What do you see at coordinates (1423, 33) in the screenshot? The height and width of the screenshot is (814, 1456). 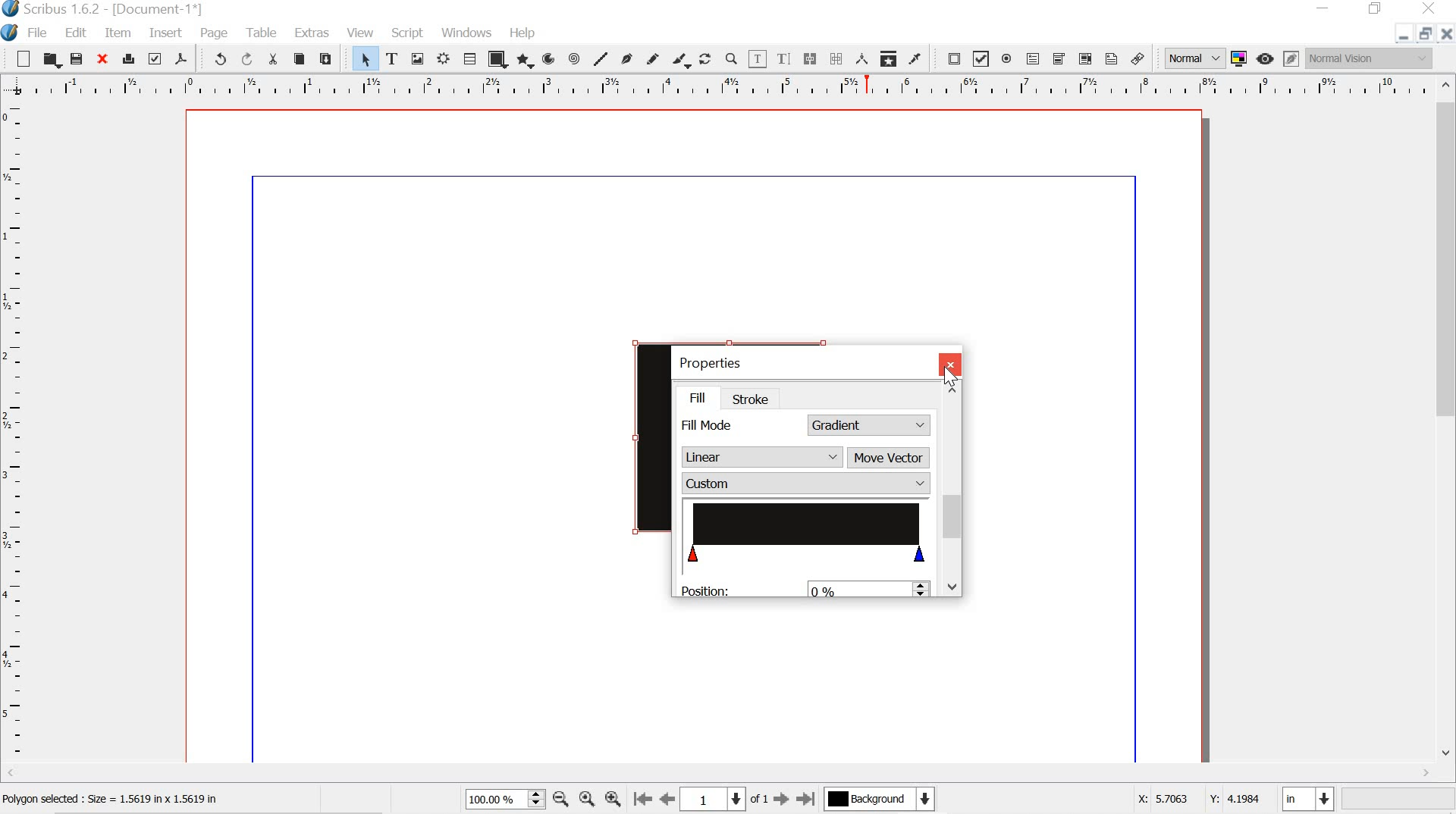 I see `restore down` at bounding box center [1423, 33].